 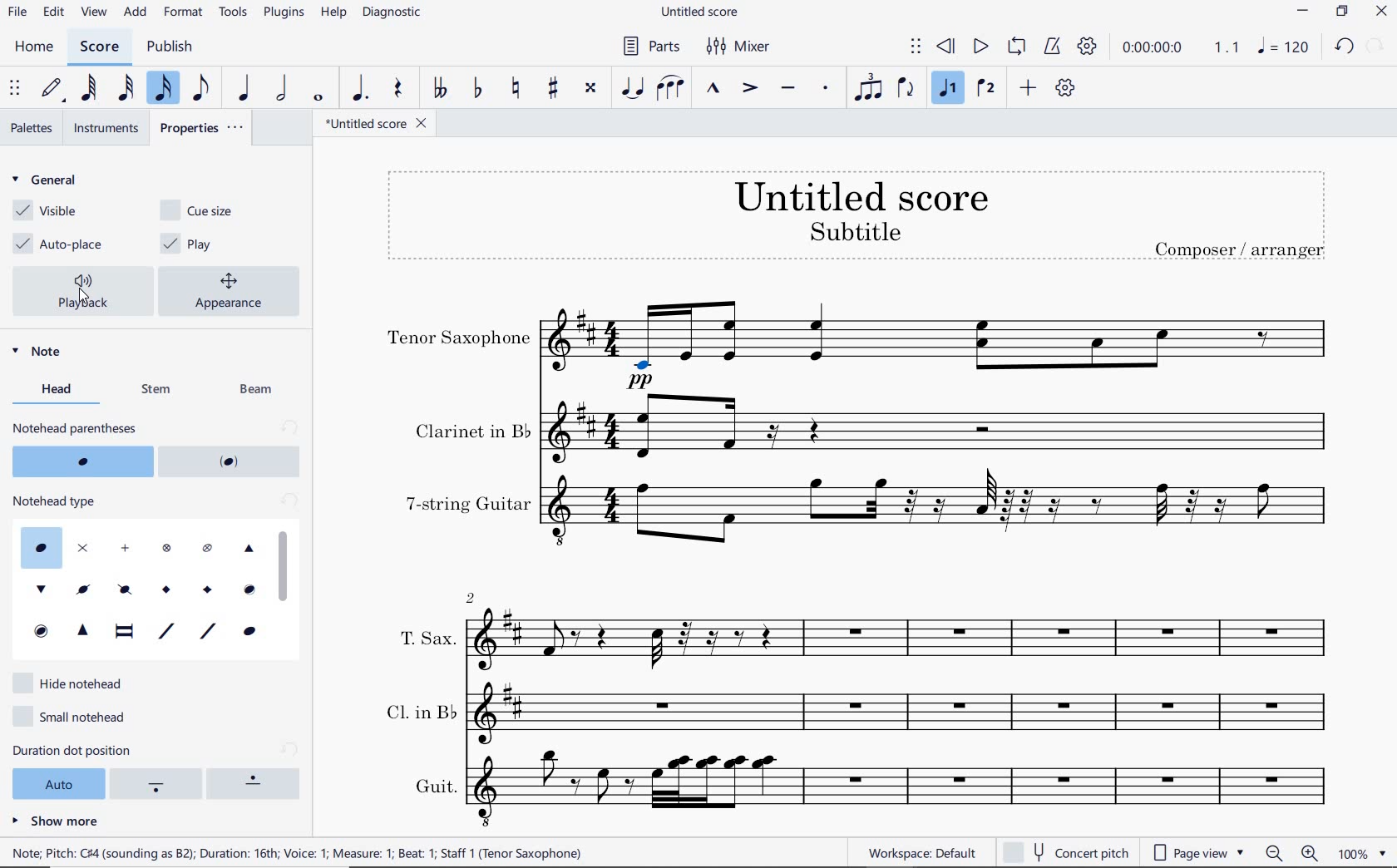 What do you see at coordinates (592, 90) in the screenshot?
I see `TOGGLE DOUBLE-SHARP` at bounding box center [592, 90].